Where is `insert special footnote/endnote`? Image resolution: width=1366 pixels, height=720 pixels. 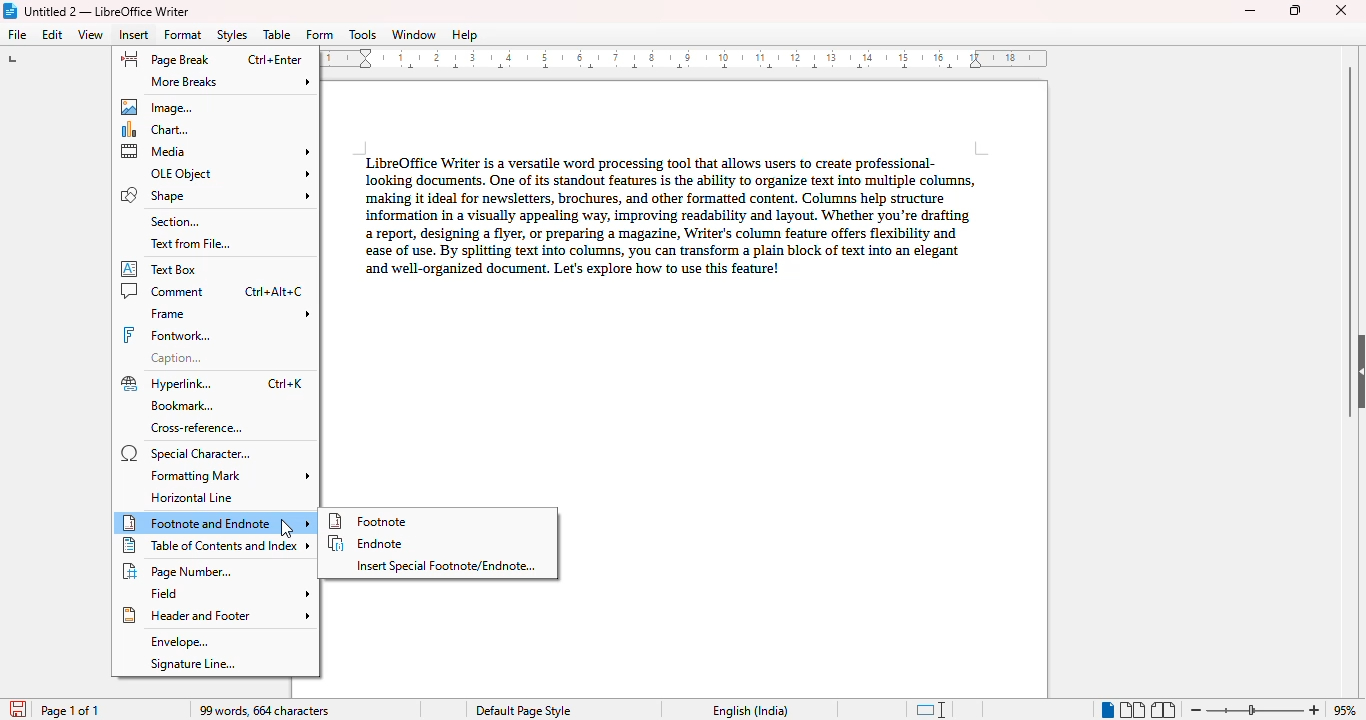 insert special footnote/endnote is located at coordinates (447, 566).